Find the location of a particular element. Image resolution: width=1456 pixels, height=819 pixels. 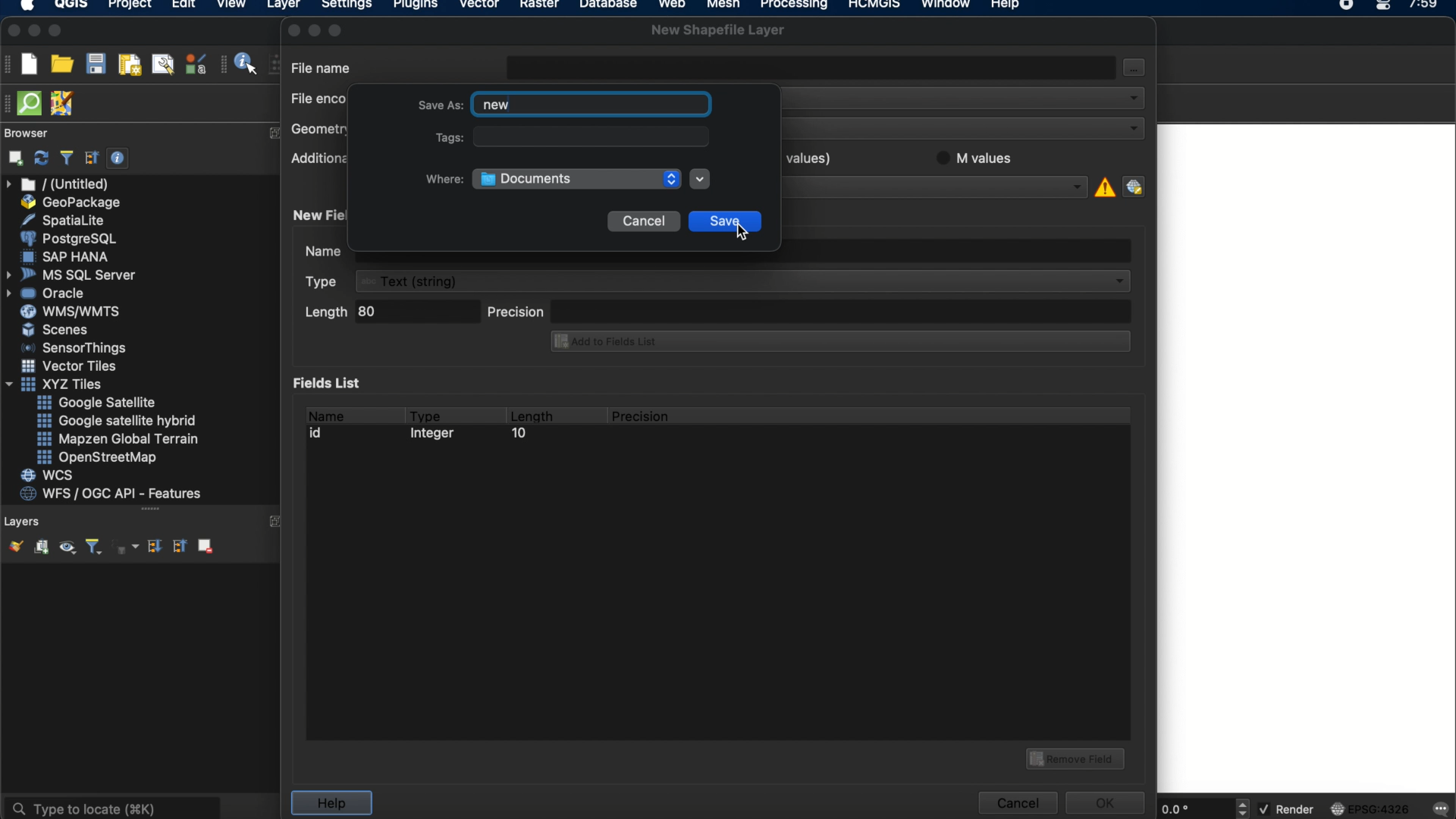

enable/disable properties widget is located at coordinates (118, 158).